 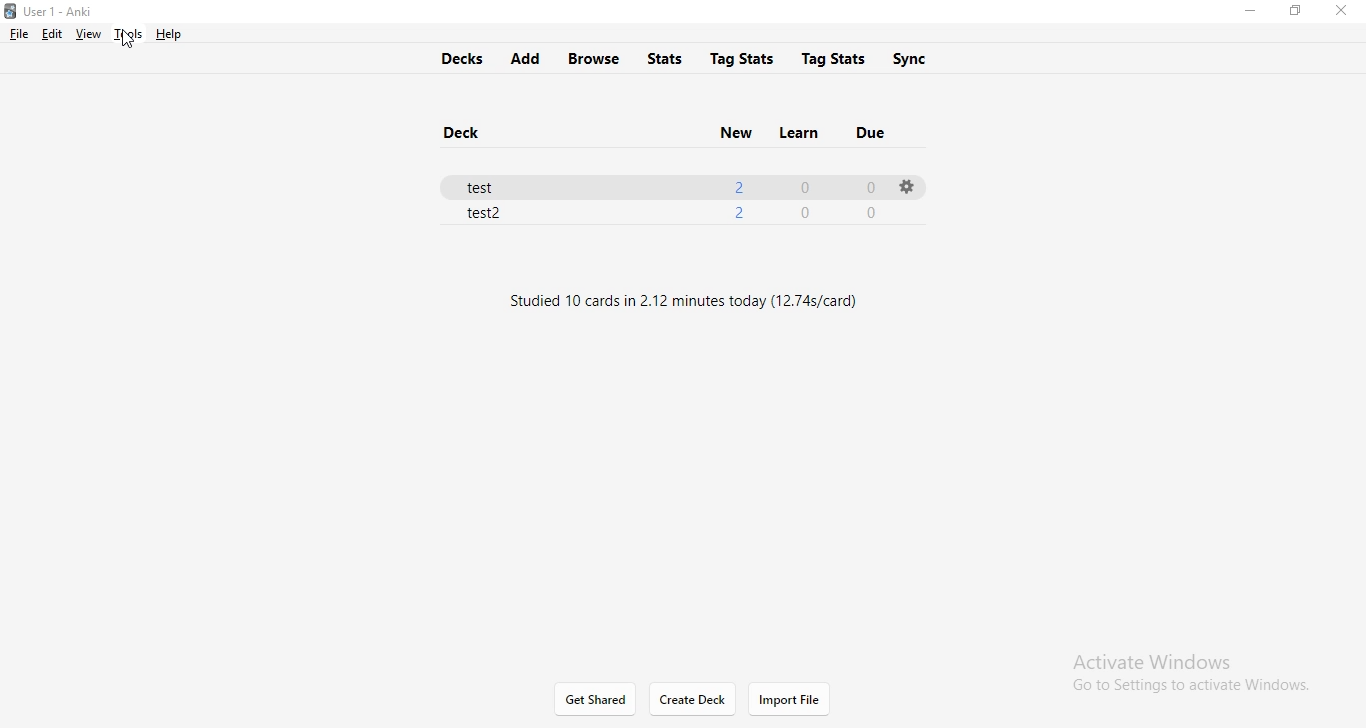 I want to click on close, so click(x=1345, y=11).